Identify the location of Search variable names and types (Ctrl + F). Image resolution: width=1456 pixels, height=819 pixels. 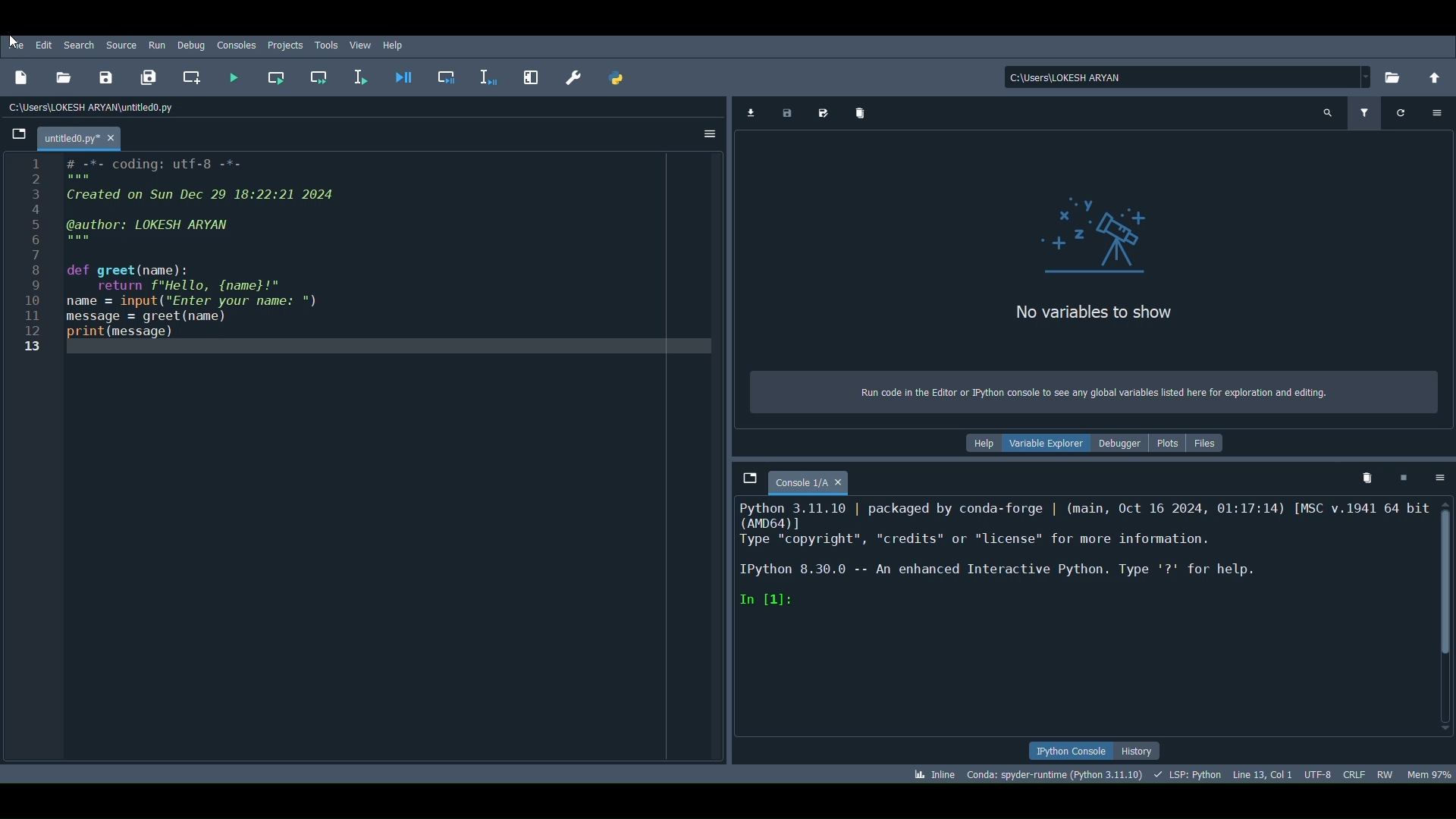
(1328, 111).